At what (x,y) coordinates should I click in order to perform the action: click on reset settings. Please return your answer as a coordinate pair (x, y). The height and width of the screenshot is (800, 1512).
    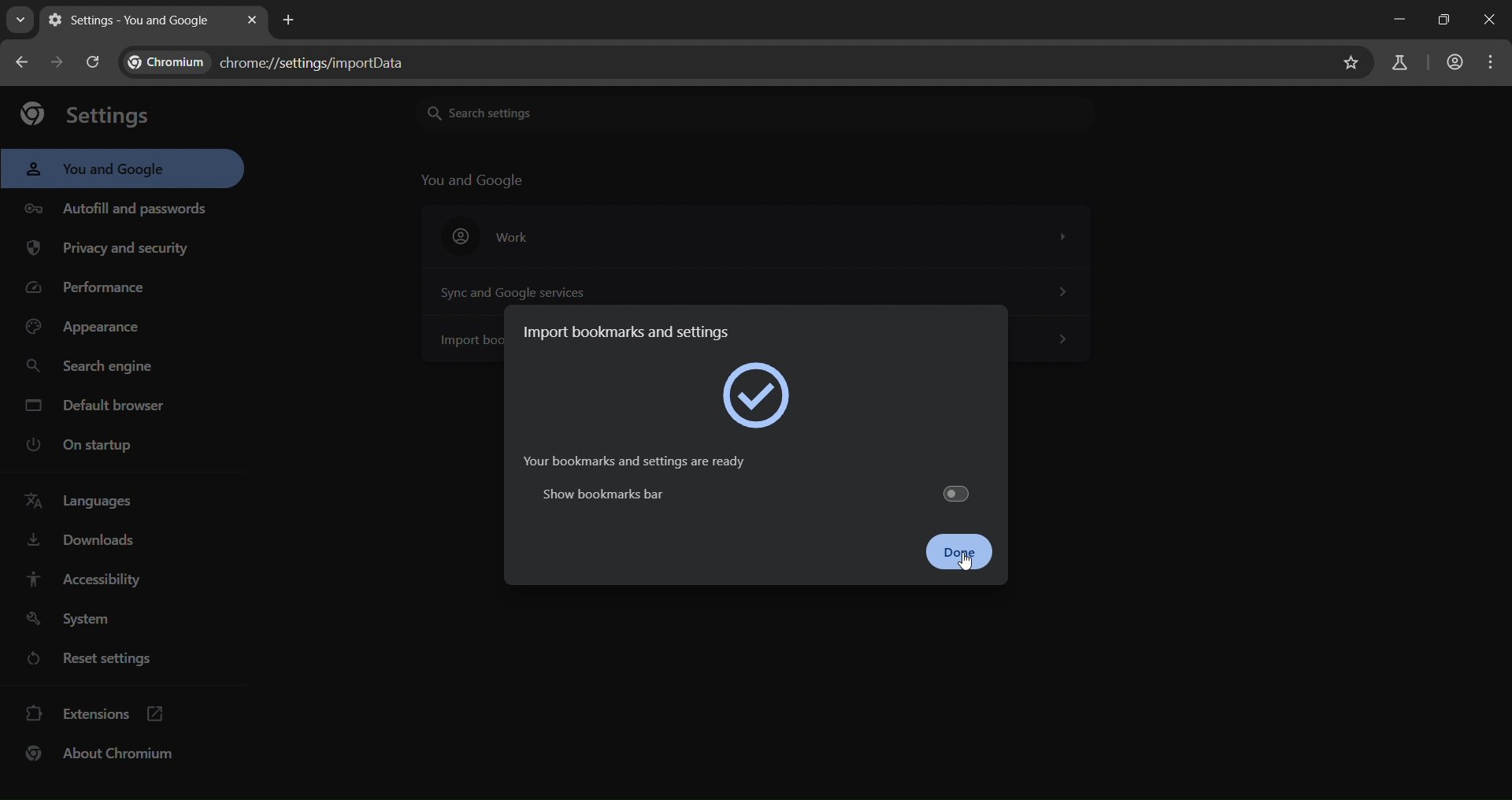
    Looking at the image, I should click on (120, 659).